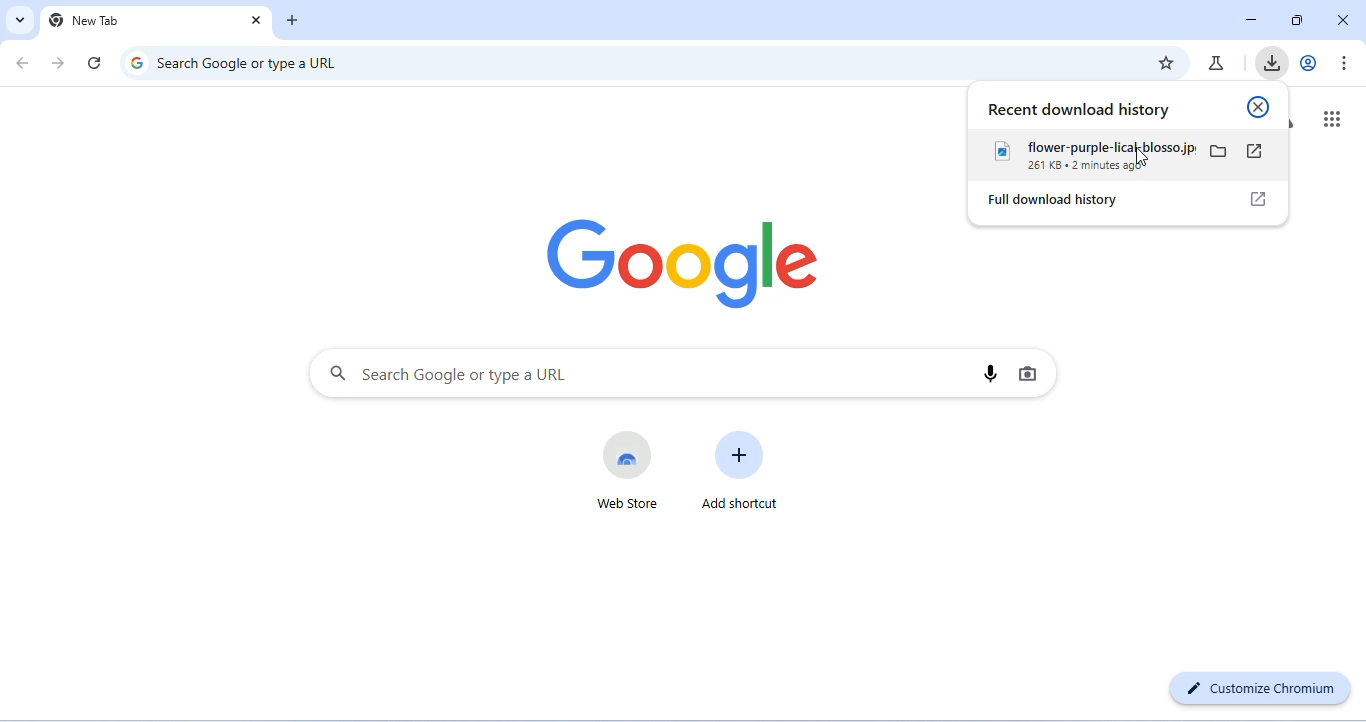 The width and height of the screenshot is (1366, 722). I want to click on go back, so click(26, 65).